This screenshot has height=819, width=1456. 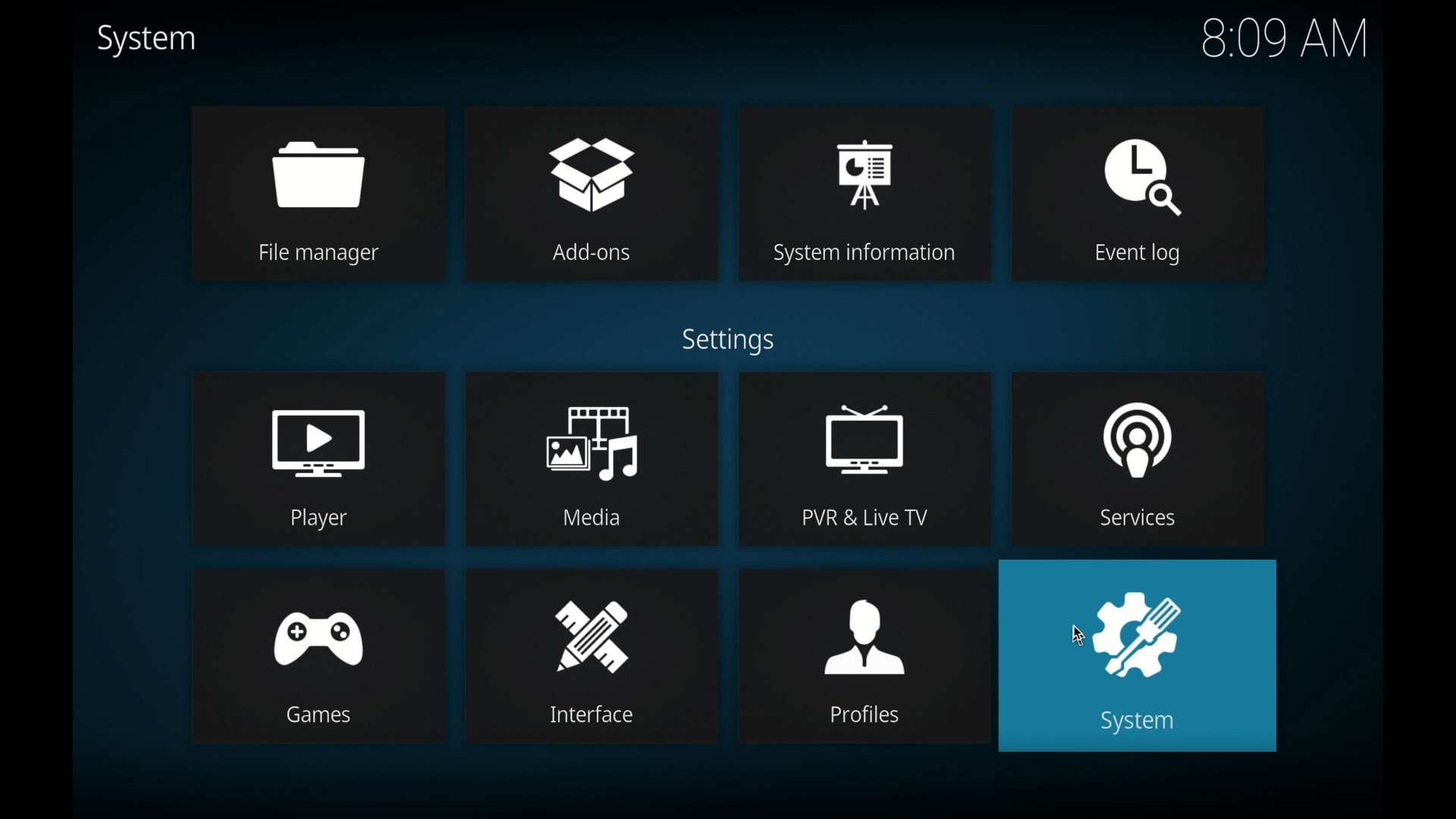 I want to click on pvr & live tv, so click(x=864, y=458).